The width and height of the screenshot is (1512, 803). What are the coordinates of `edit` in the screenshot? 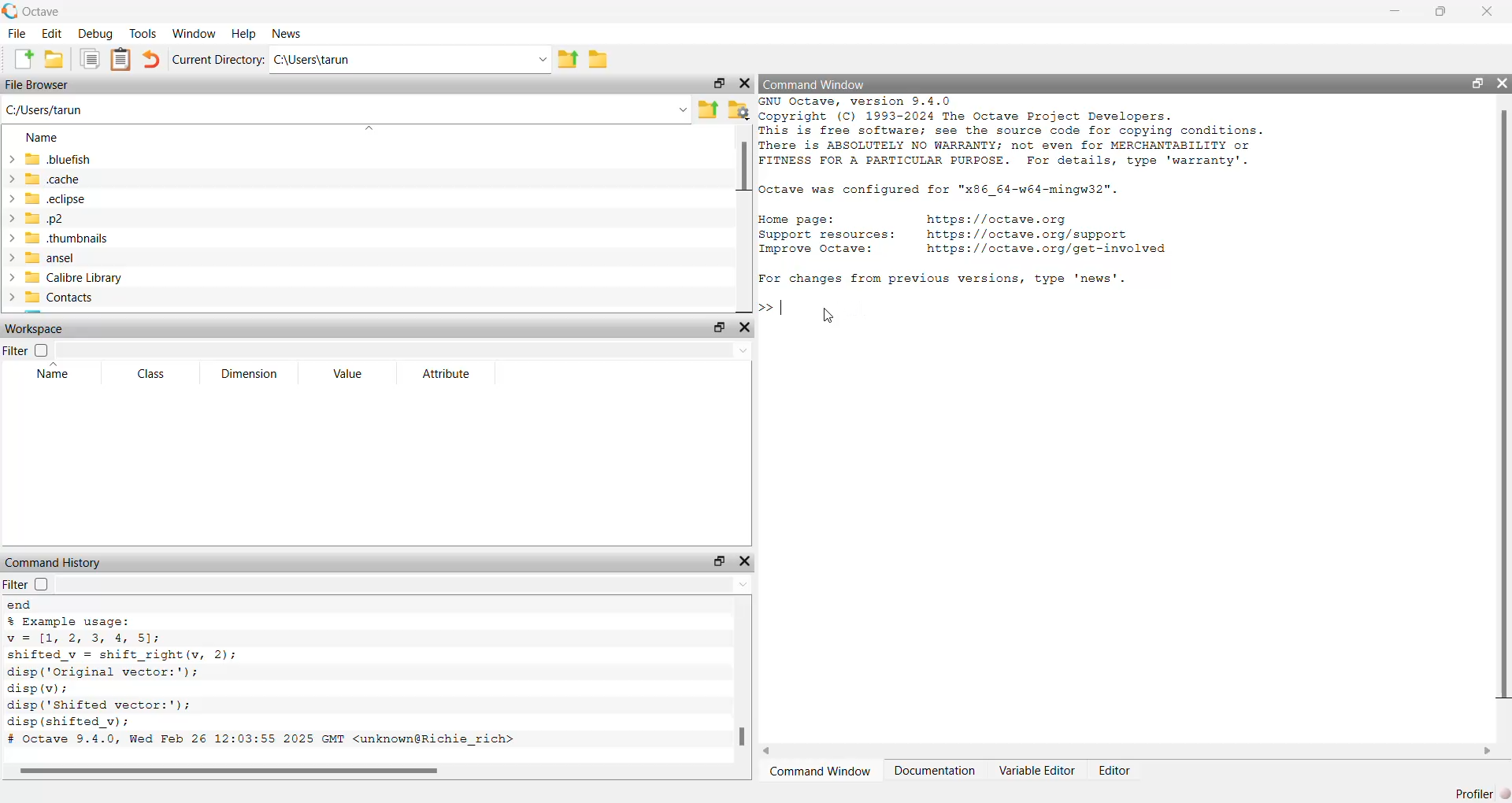 It's located at (54, 34).